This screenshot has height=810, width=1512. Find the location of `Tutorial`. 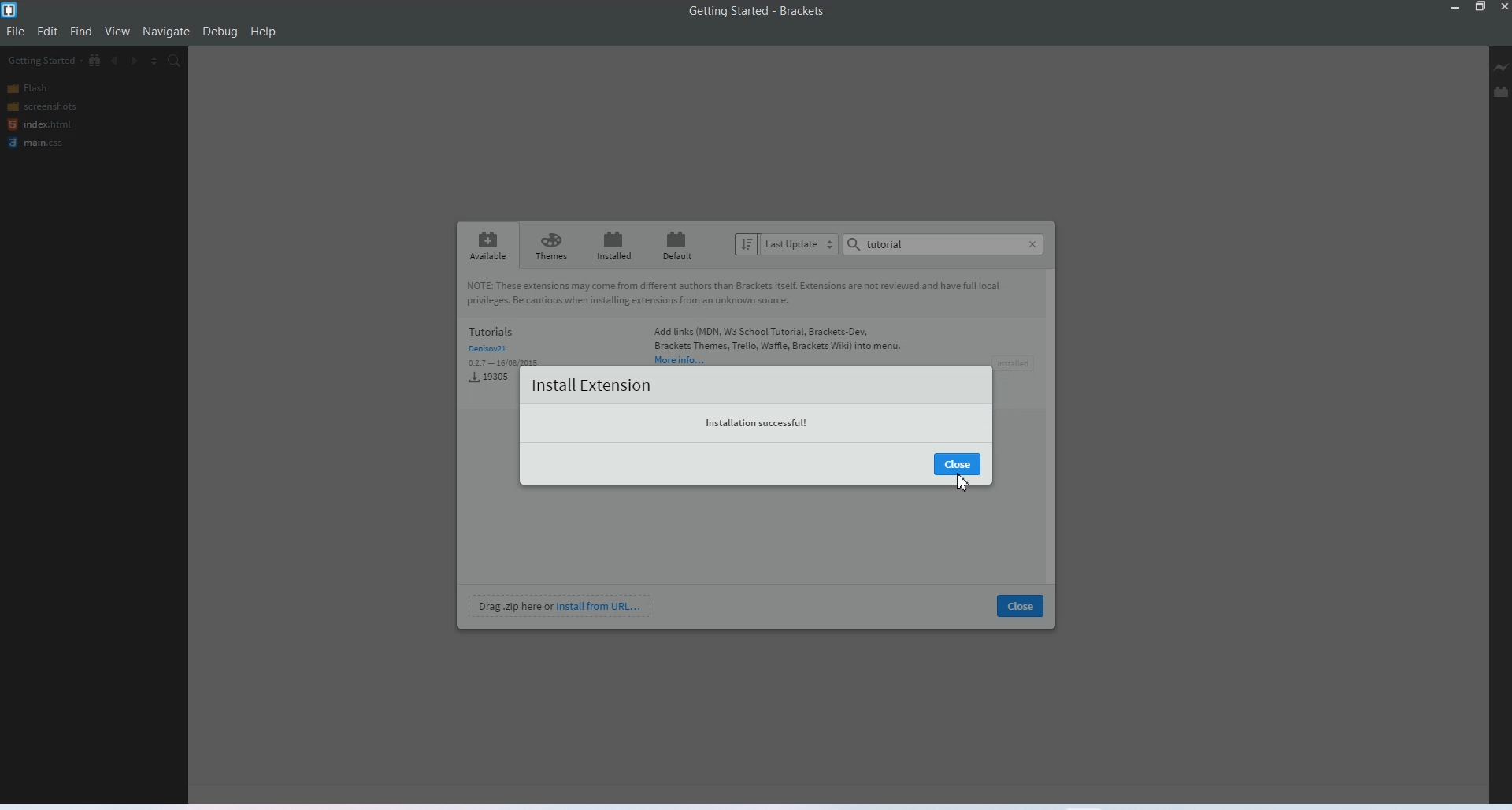

Tutorial is located at coordinates (883, 244).